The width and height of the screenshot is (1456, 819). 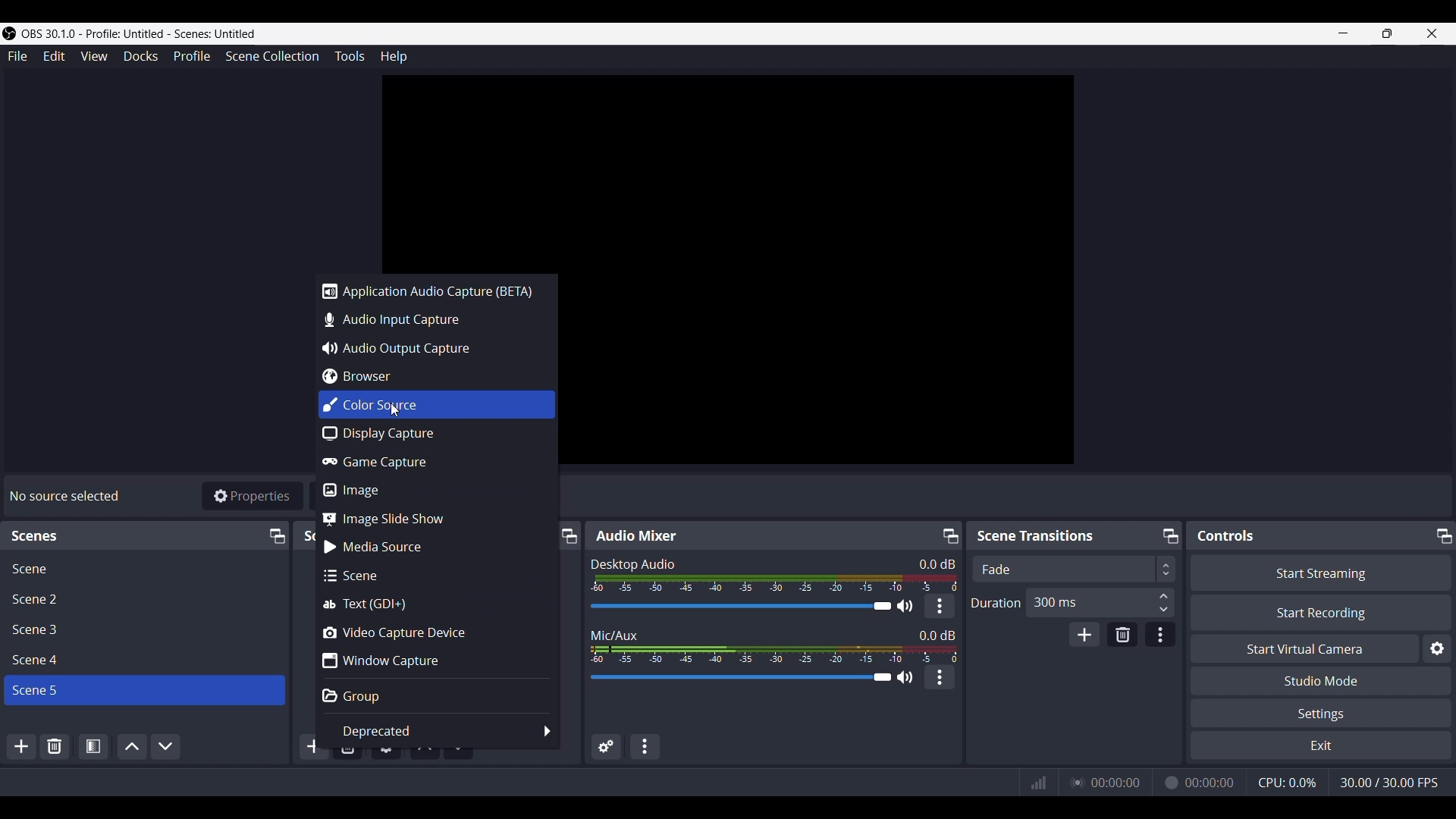 I want to click on Maximize, so click(x=949, y=533).